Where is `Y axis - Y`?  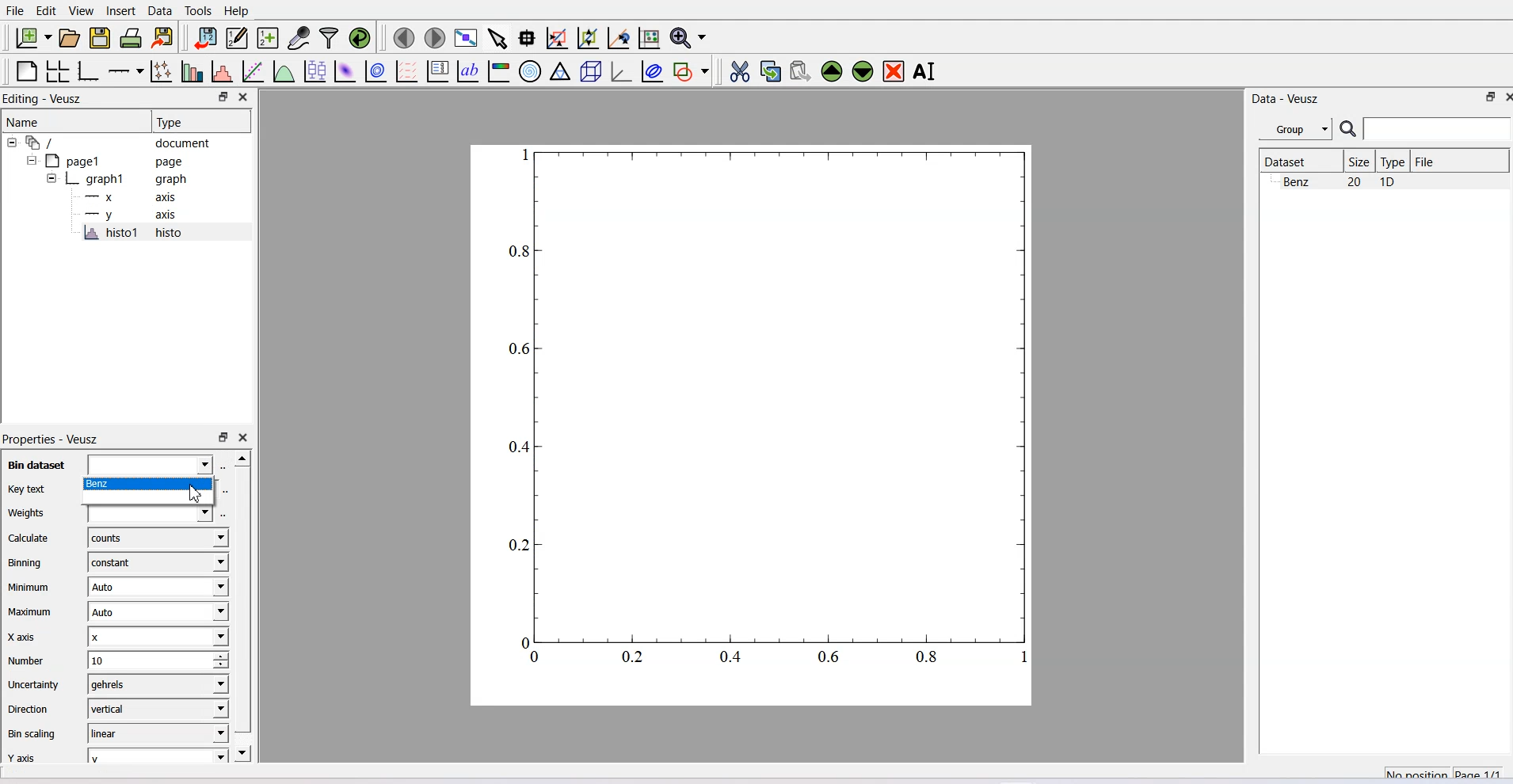 Y axis - Y is located at coordinates (115, 754).